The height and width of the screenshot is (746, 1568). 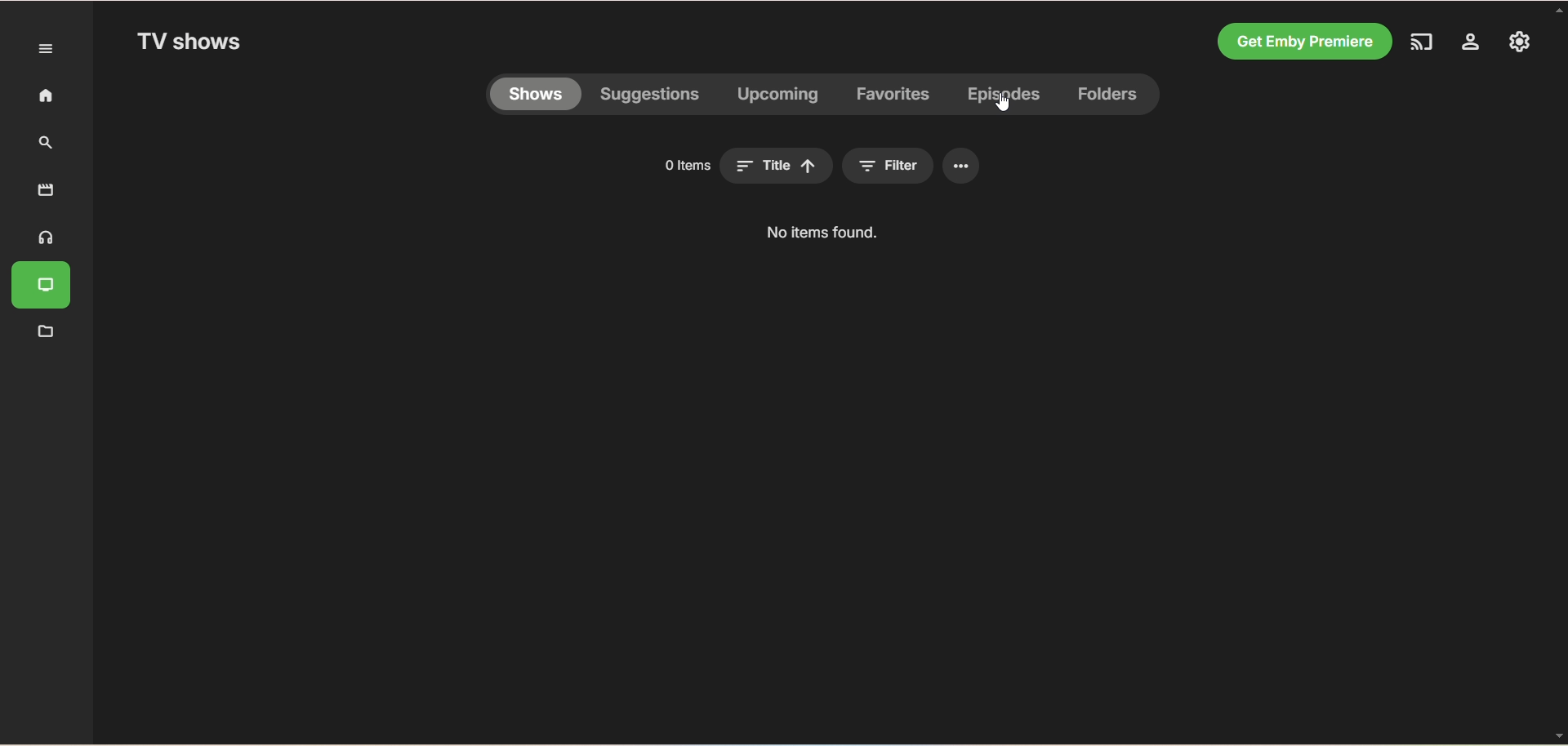 I want to click on expand, so click(x=47, y=49).